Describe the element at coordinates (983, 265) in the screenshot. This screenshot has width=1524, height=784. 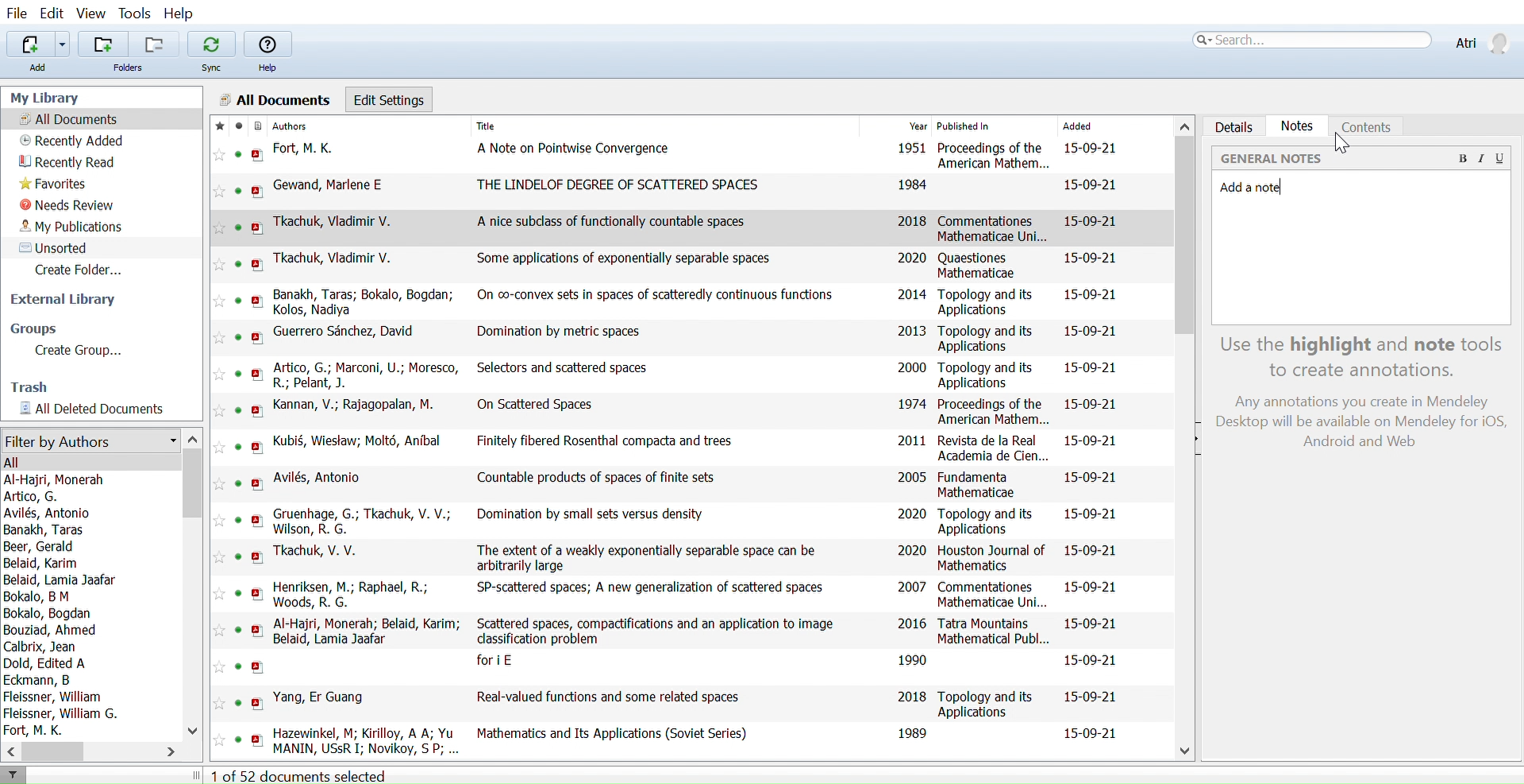
I see `Quaestiones Mathematicae` at that location.